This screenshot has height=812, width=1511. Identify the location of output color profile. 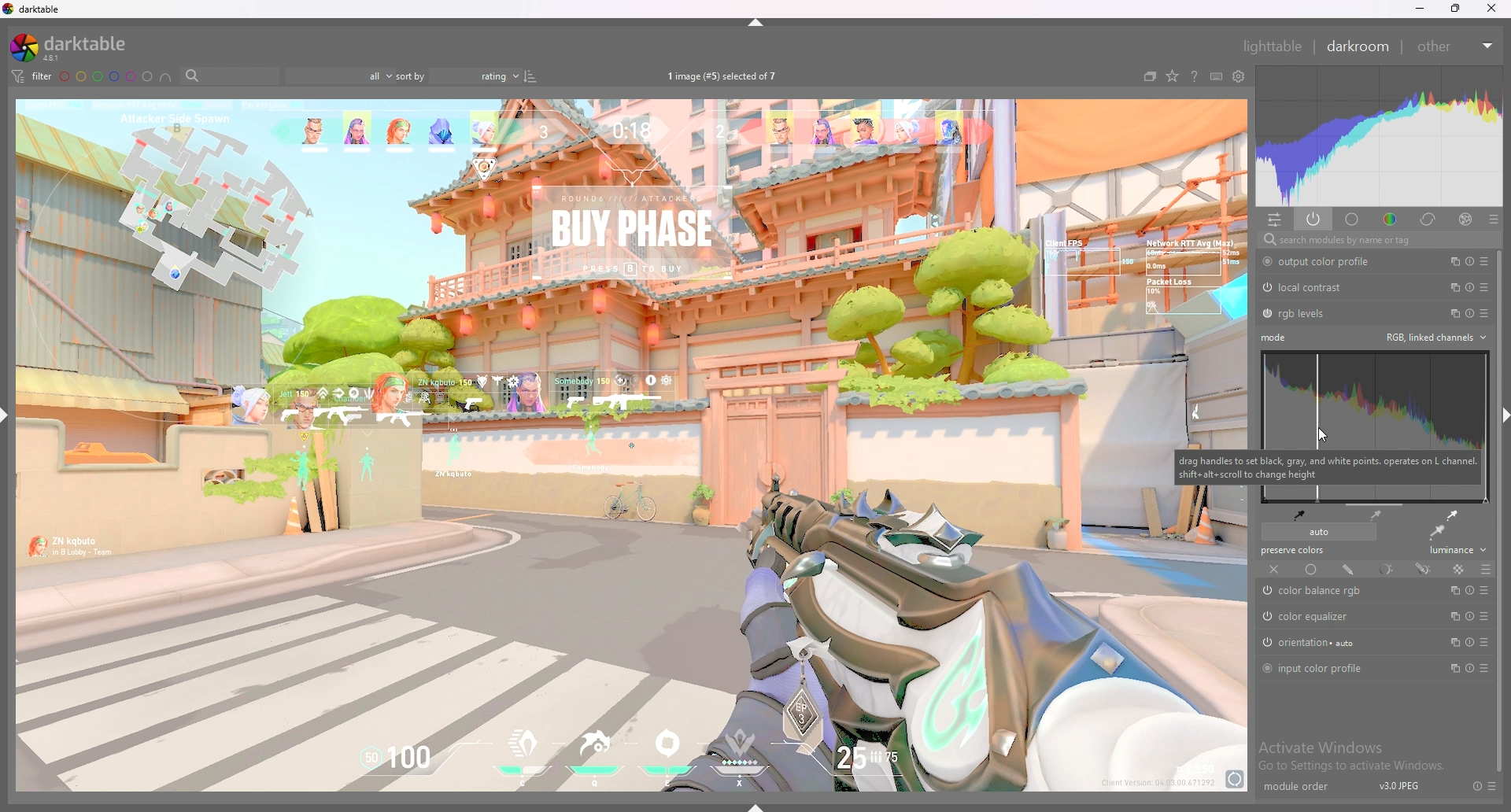
(1329, 261).